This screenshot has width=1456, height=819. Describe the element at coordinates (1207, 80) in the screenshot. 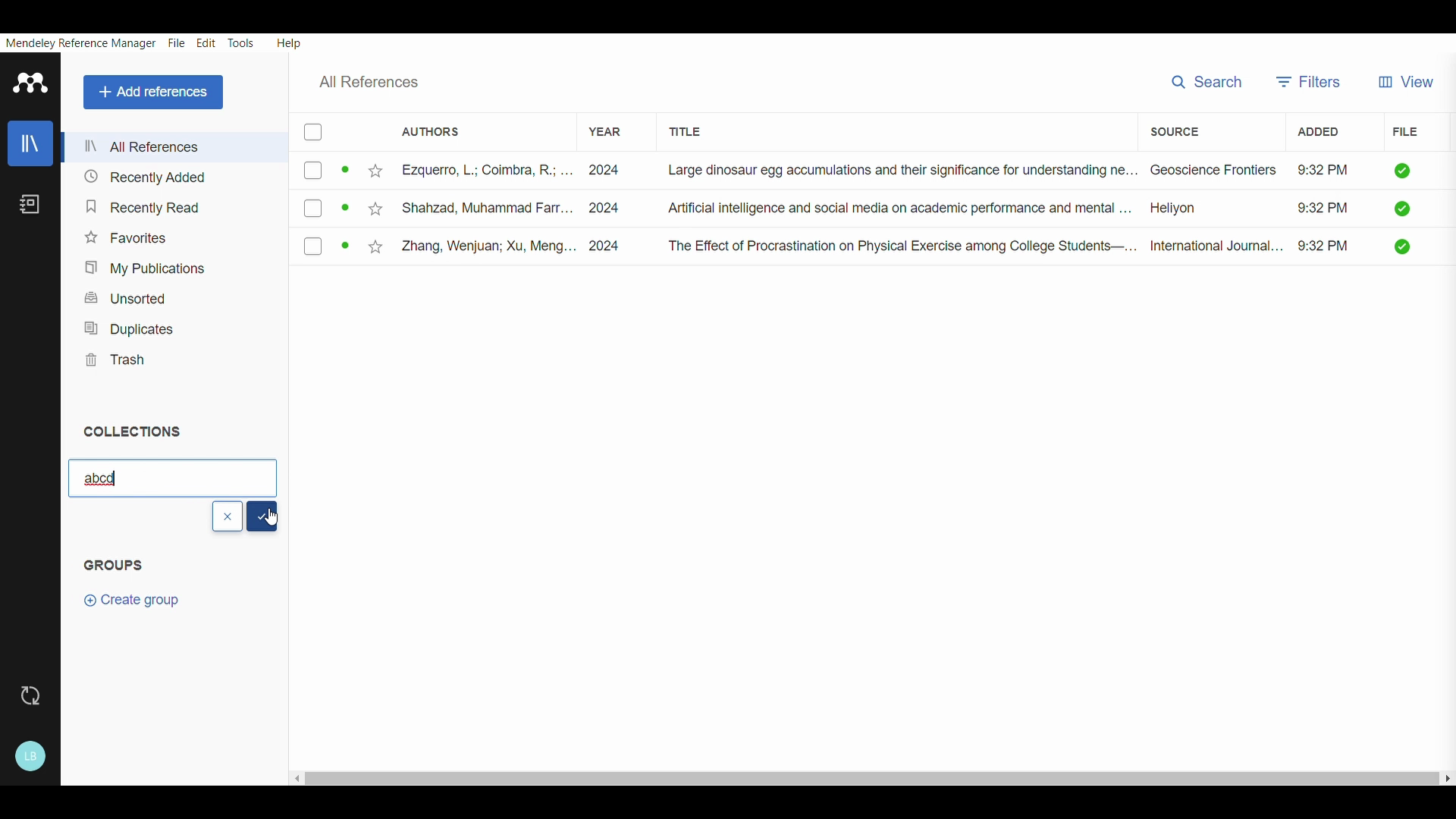

I see `Search` at that location.